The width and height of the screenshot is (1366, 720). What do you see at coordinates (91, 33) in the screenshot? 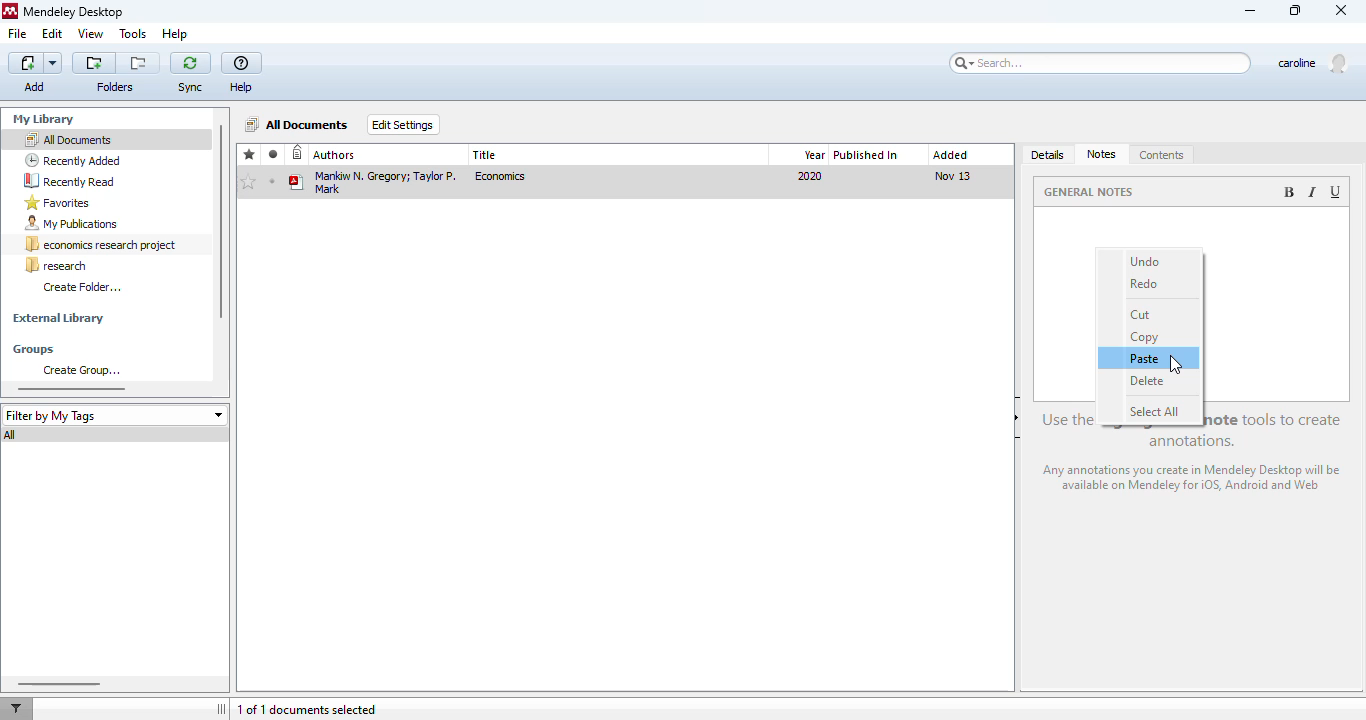
I see `view` at bounding box center [91, 33].